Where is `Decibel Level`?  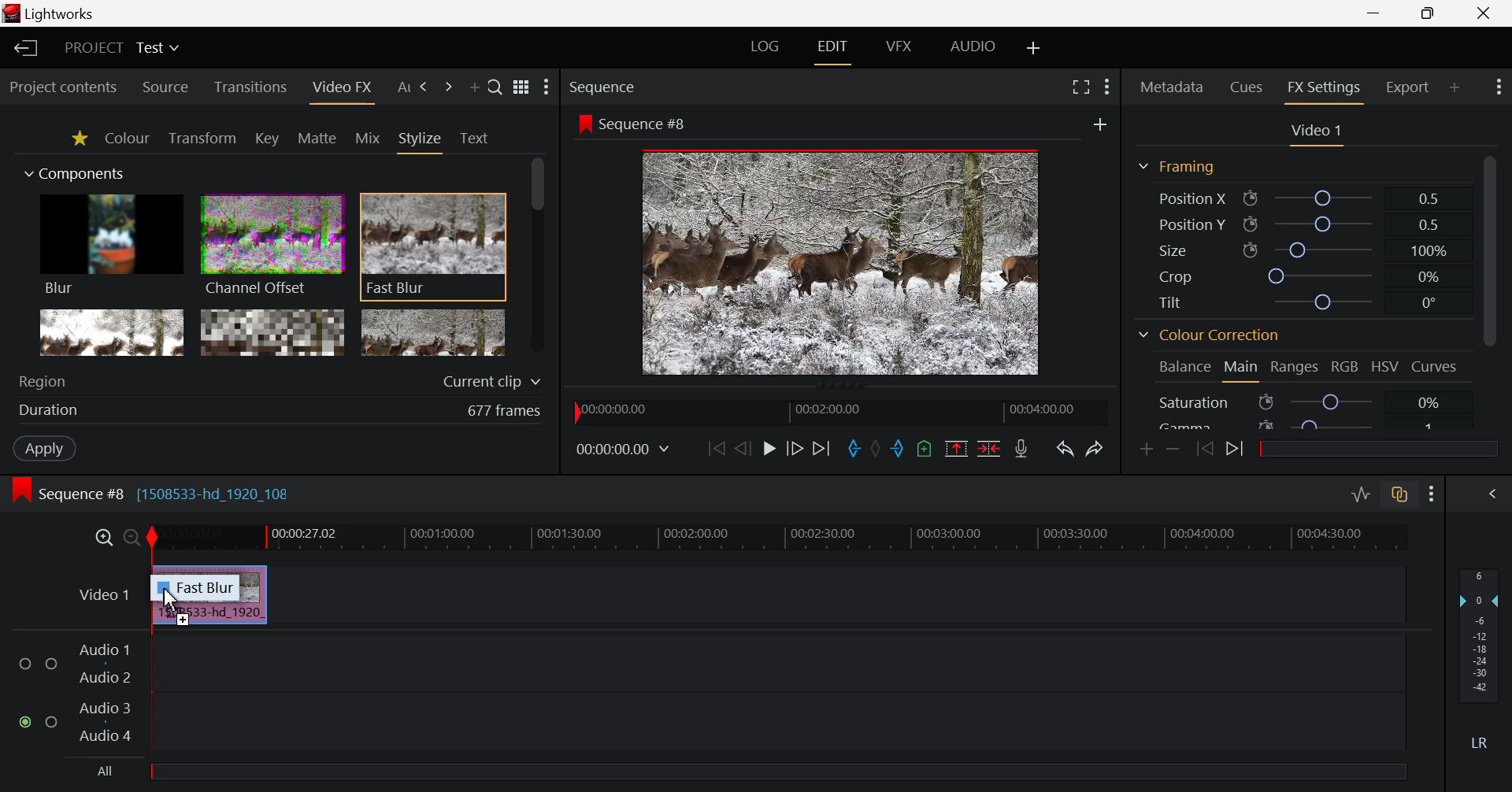
Decibel Level is located at coordinates (1480, 662).